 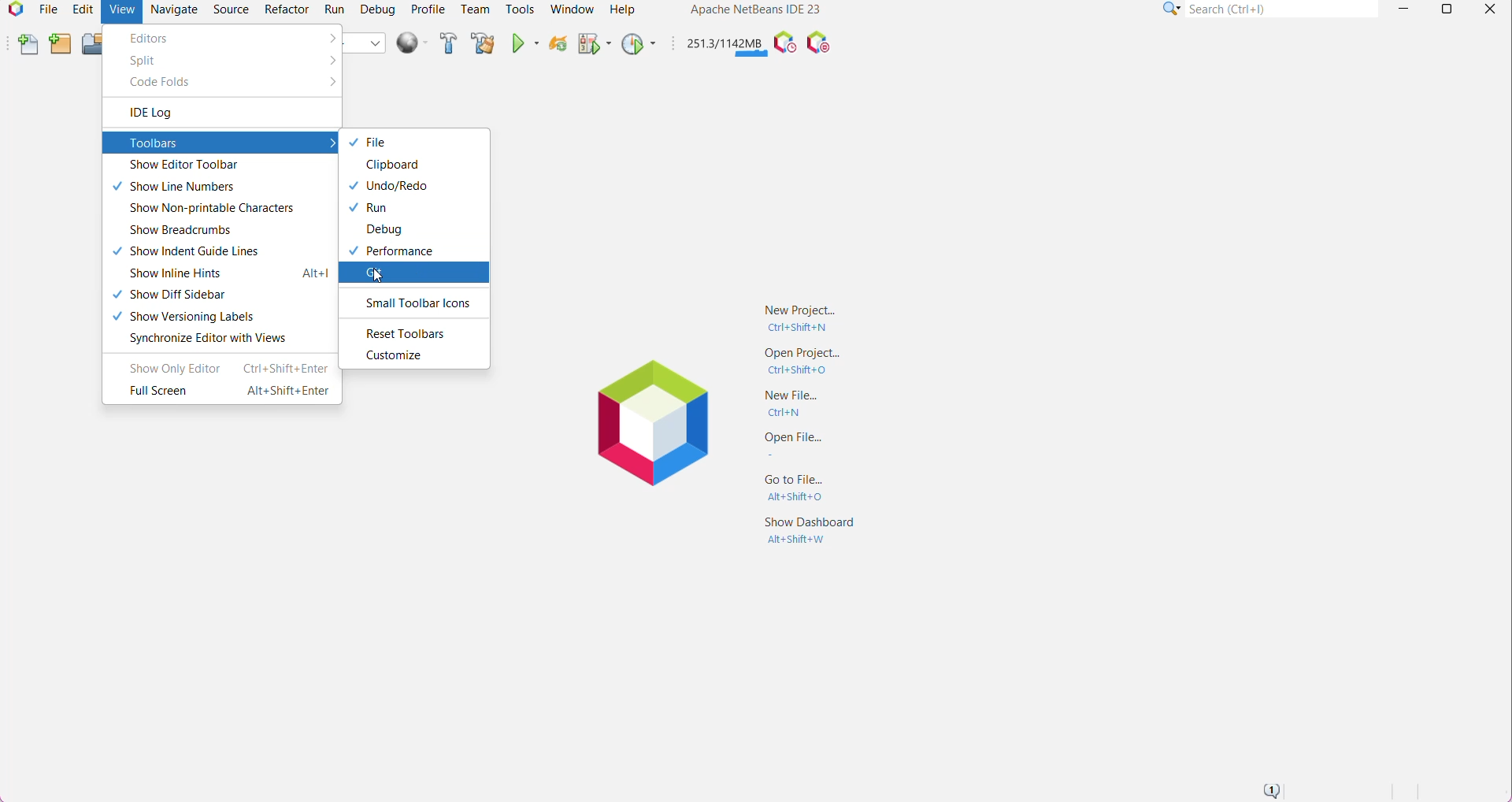 I want to click on Split, so click(x=144, y=61).